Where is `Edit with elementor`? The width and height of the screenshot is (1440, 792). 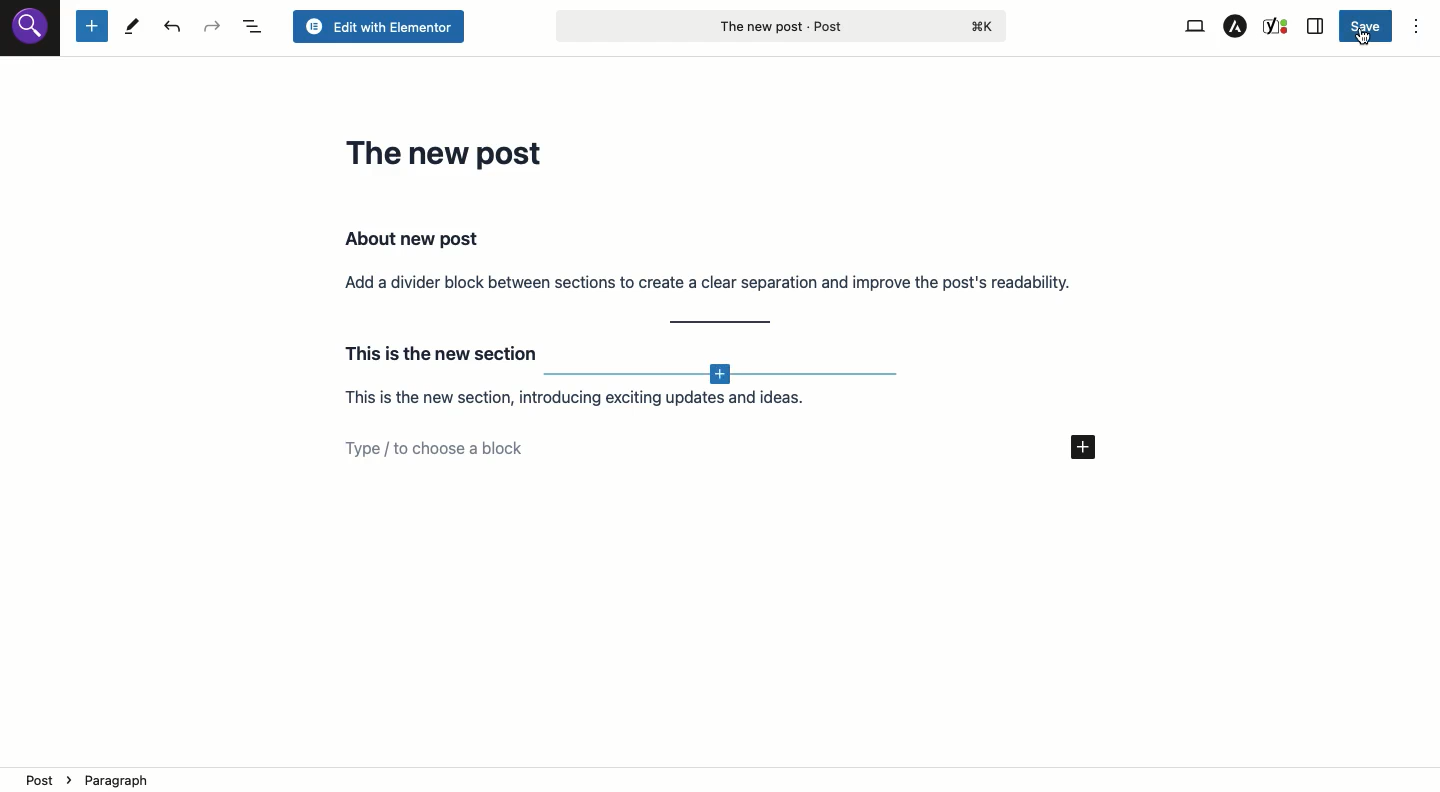
Edit with elementor is located at coordinates (377, 27).